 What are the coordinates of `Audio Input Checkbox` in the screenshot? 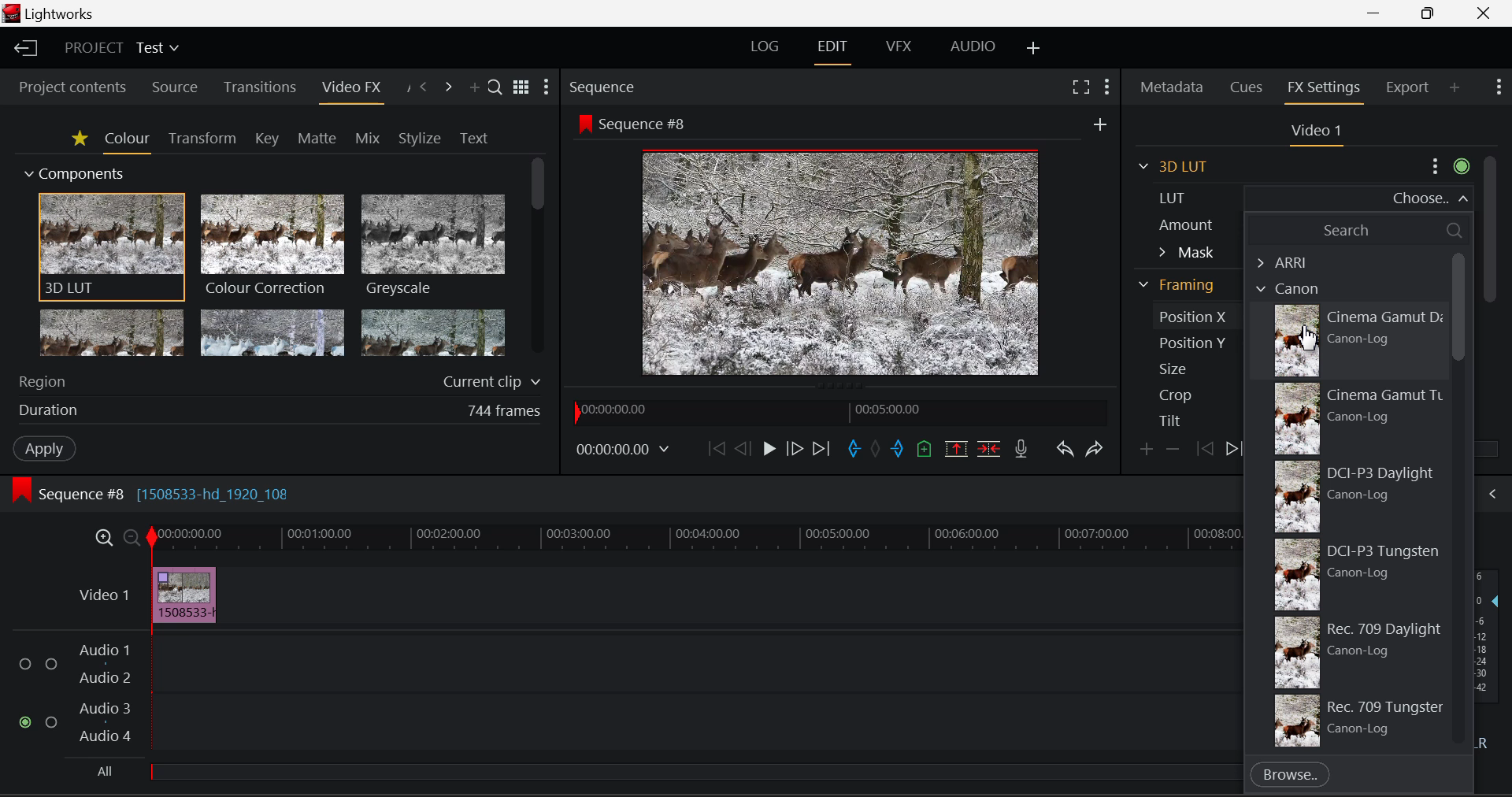 It's located at (53, 664).